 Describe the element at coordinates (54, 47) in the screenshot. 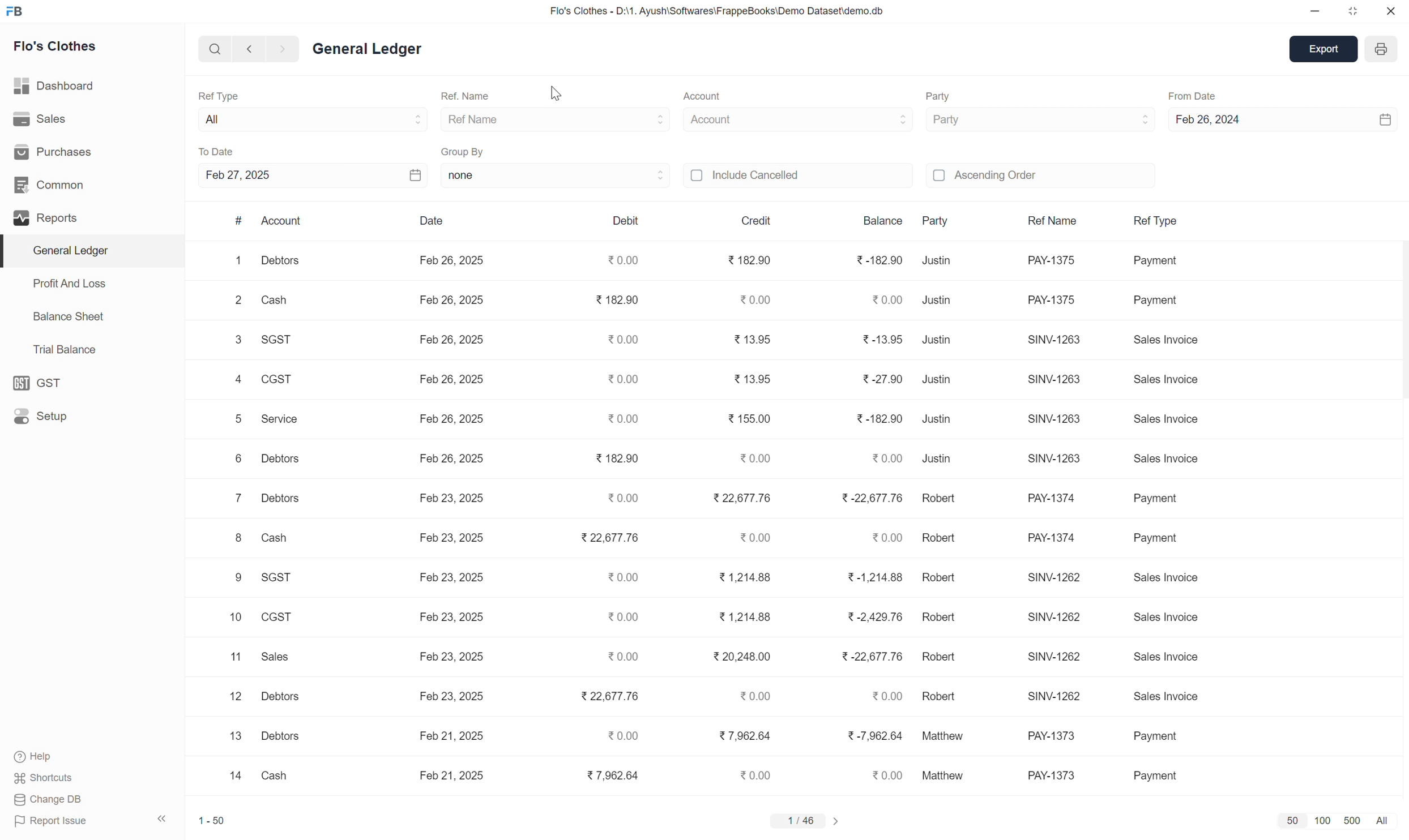

I see `Flo's Clothes` at that location.